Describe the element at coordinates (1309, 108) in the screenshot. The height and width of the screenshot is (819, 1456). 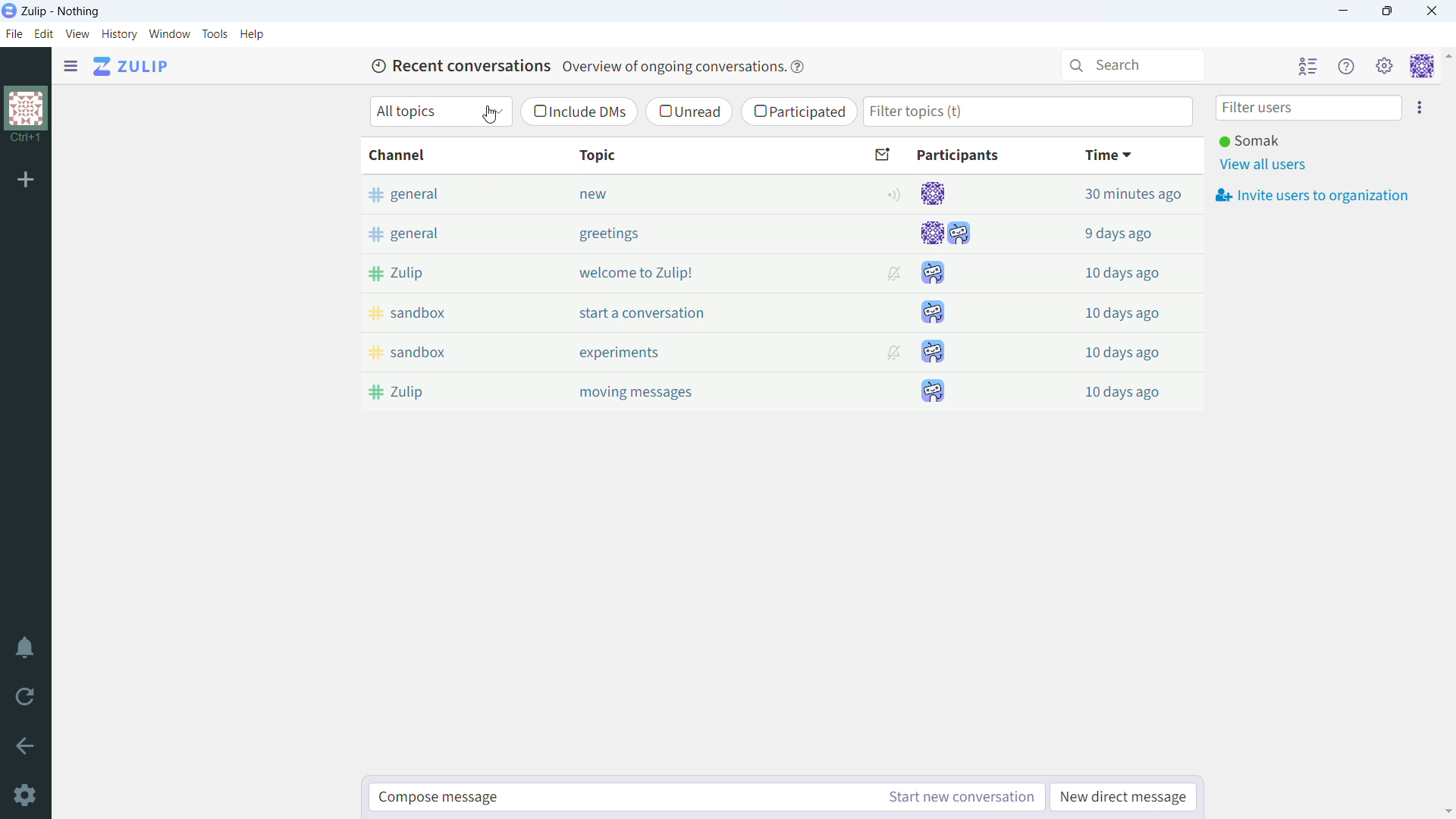
I see `filter user` at that location.